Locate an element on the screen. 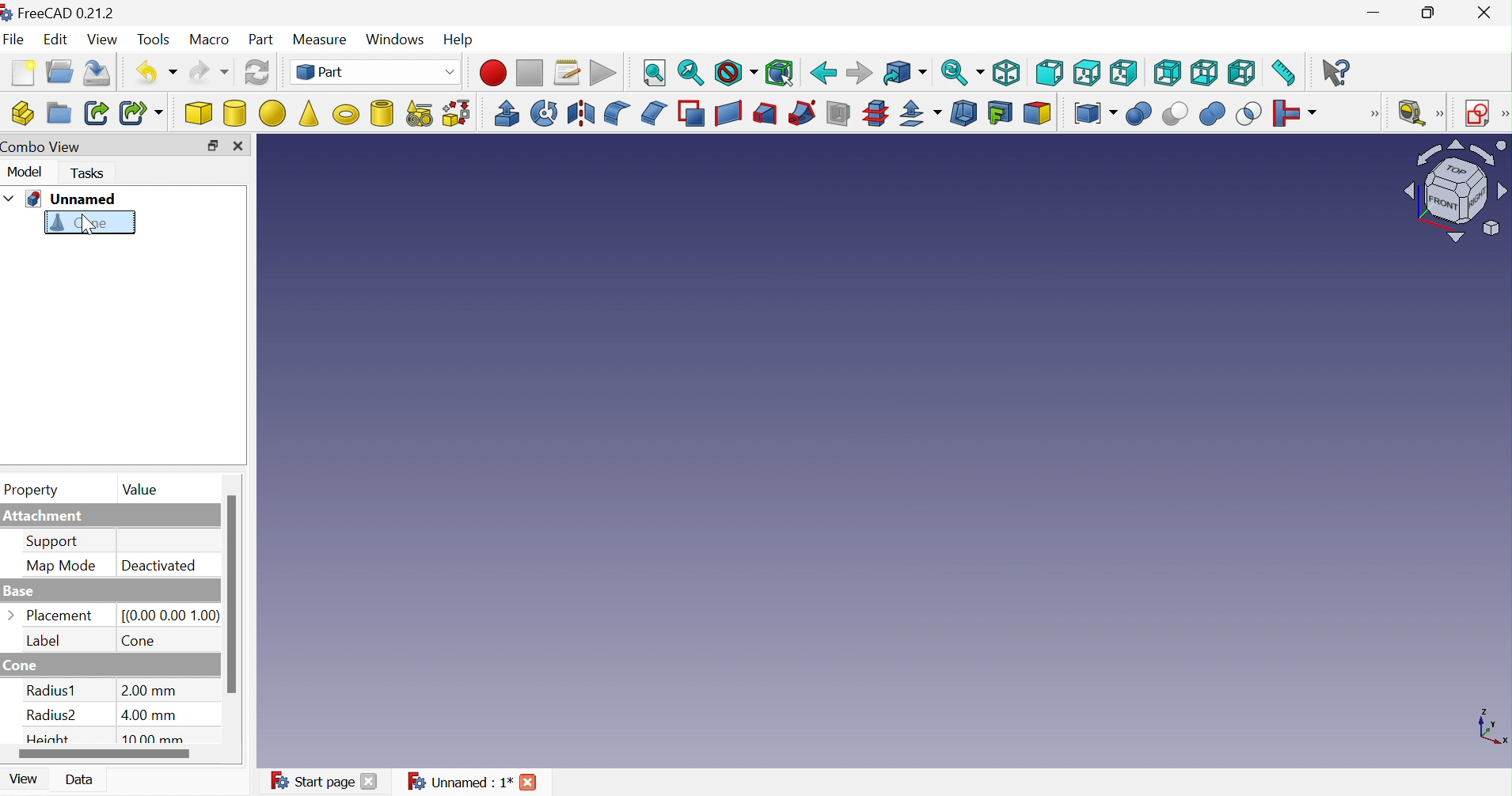  Back is located at coordinates (822, 74).